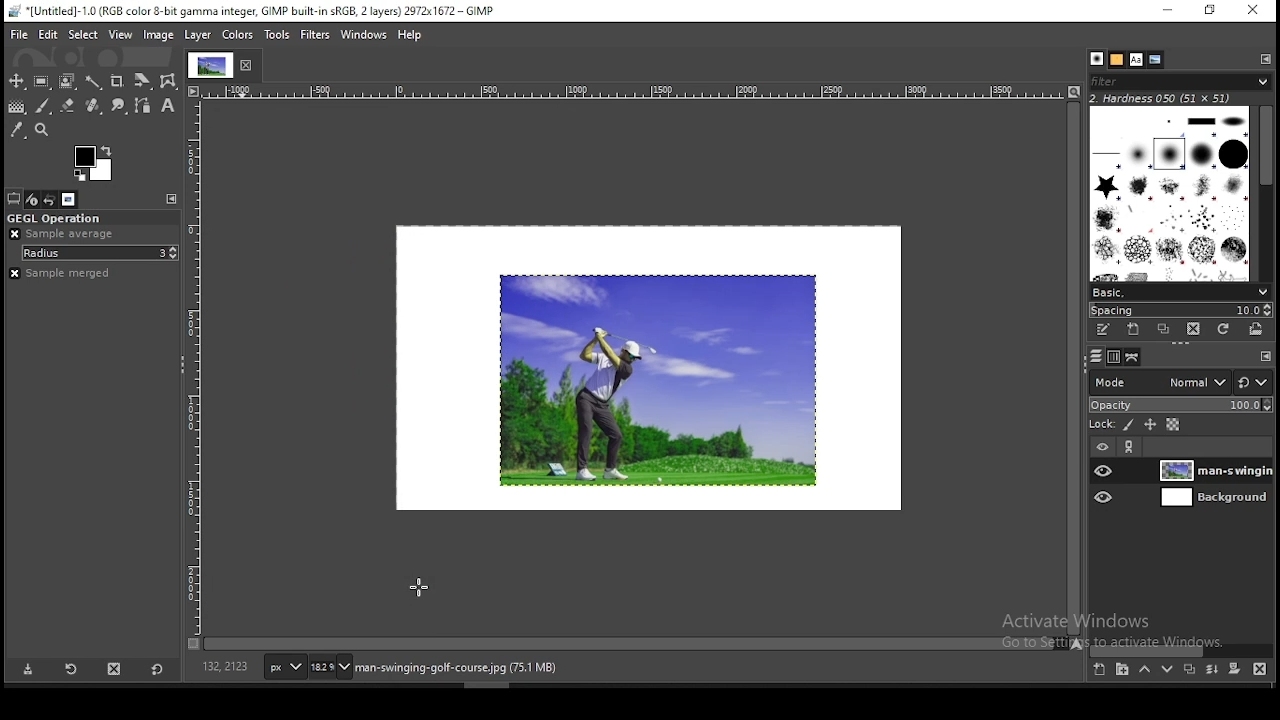 Image resolution: width=1280 pixels, height=720 pixels. I want to click on windows, so click(364, 35).